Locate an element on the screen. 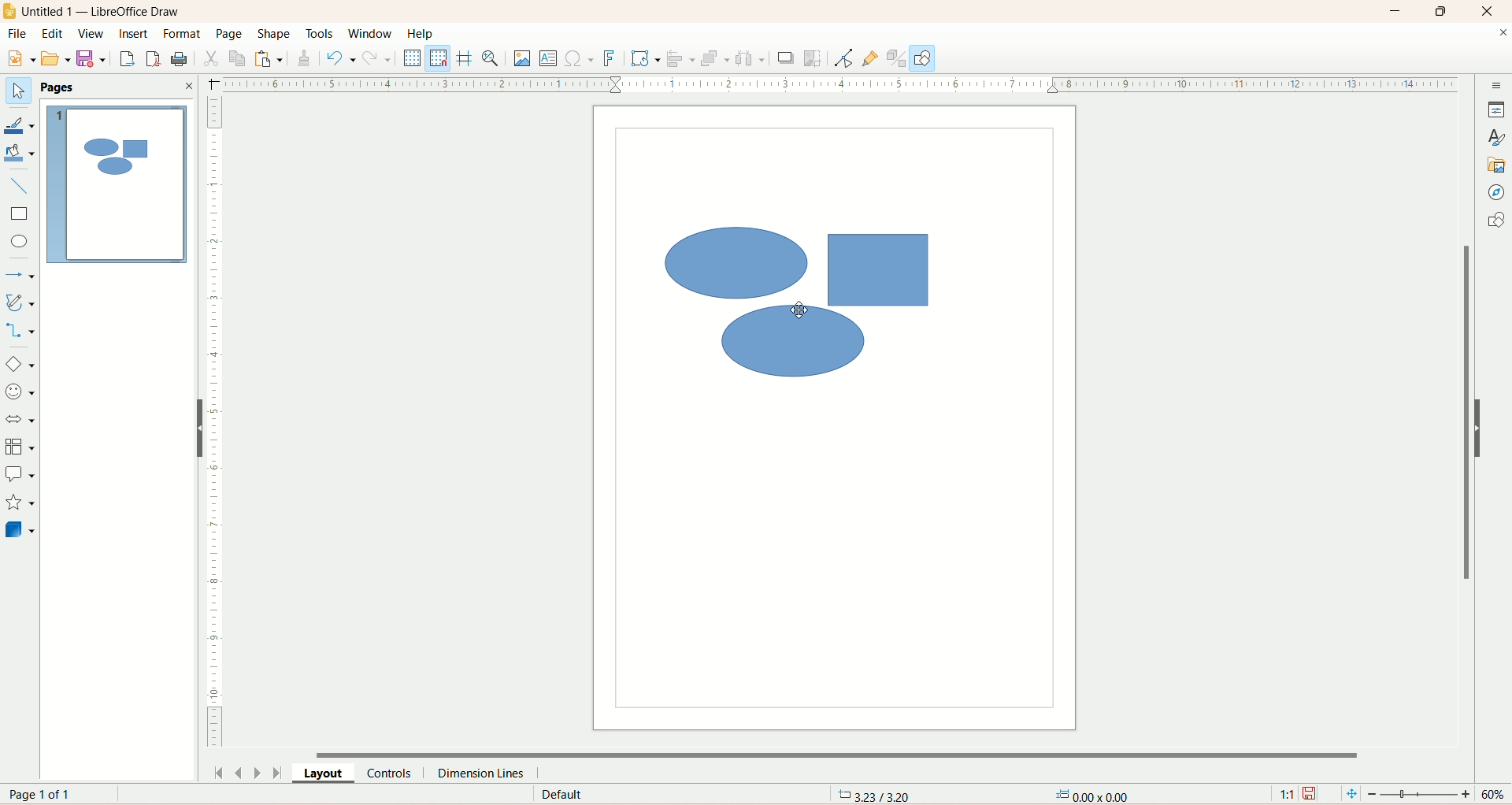 This screenshot has height=805, width=1512. first page is located at coordinates (220, 774).